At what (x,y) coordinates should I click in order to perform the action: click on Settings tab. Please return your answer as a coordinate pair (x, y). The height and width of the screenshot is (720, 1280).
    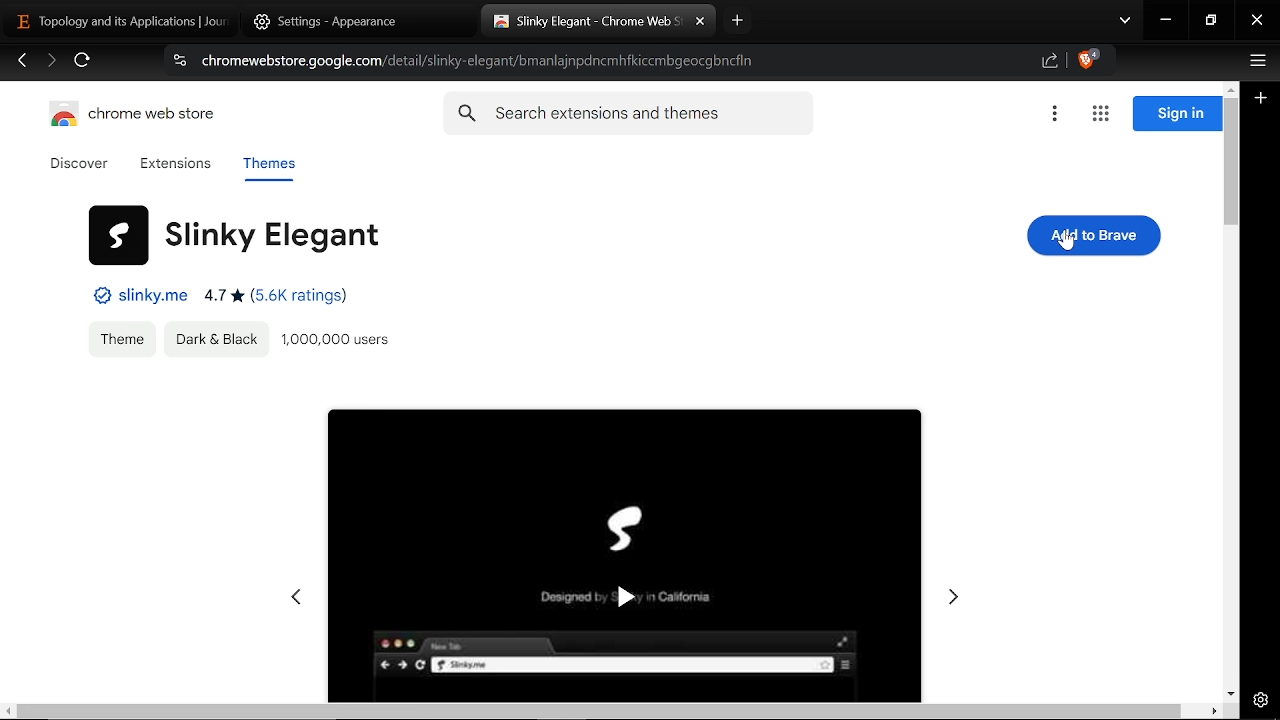
    Looking at the image, I should click on (333, 21).